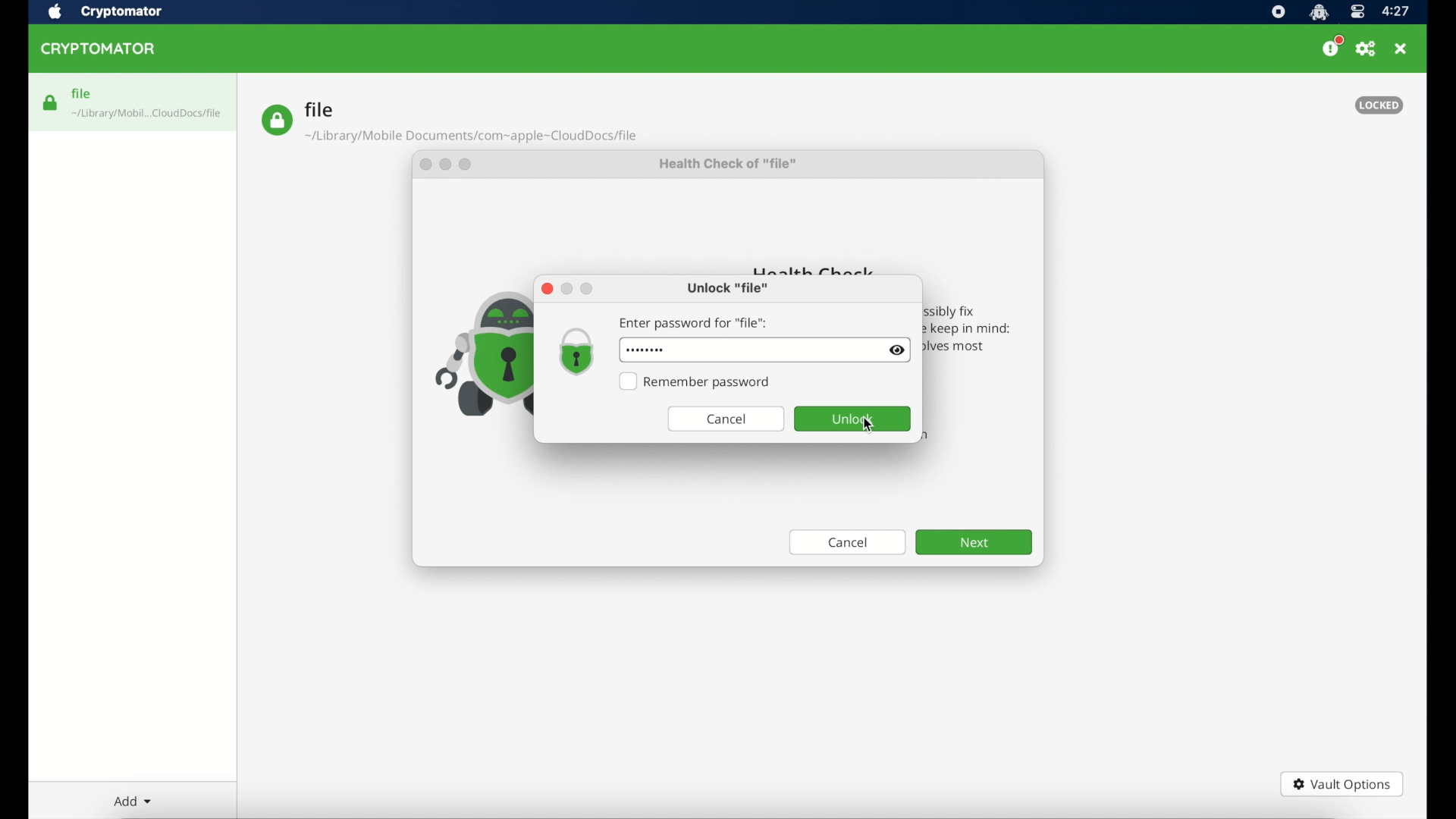 This screenshot has width=1456, height=819. What do you see at coordinates (1379, 105) in the screenshot?
I see `locked` at bounding box center [1379, 105].